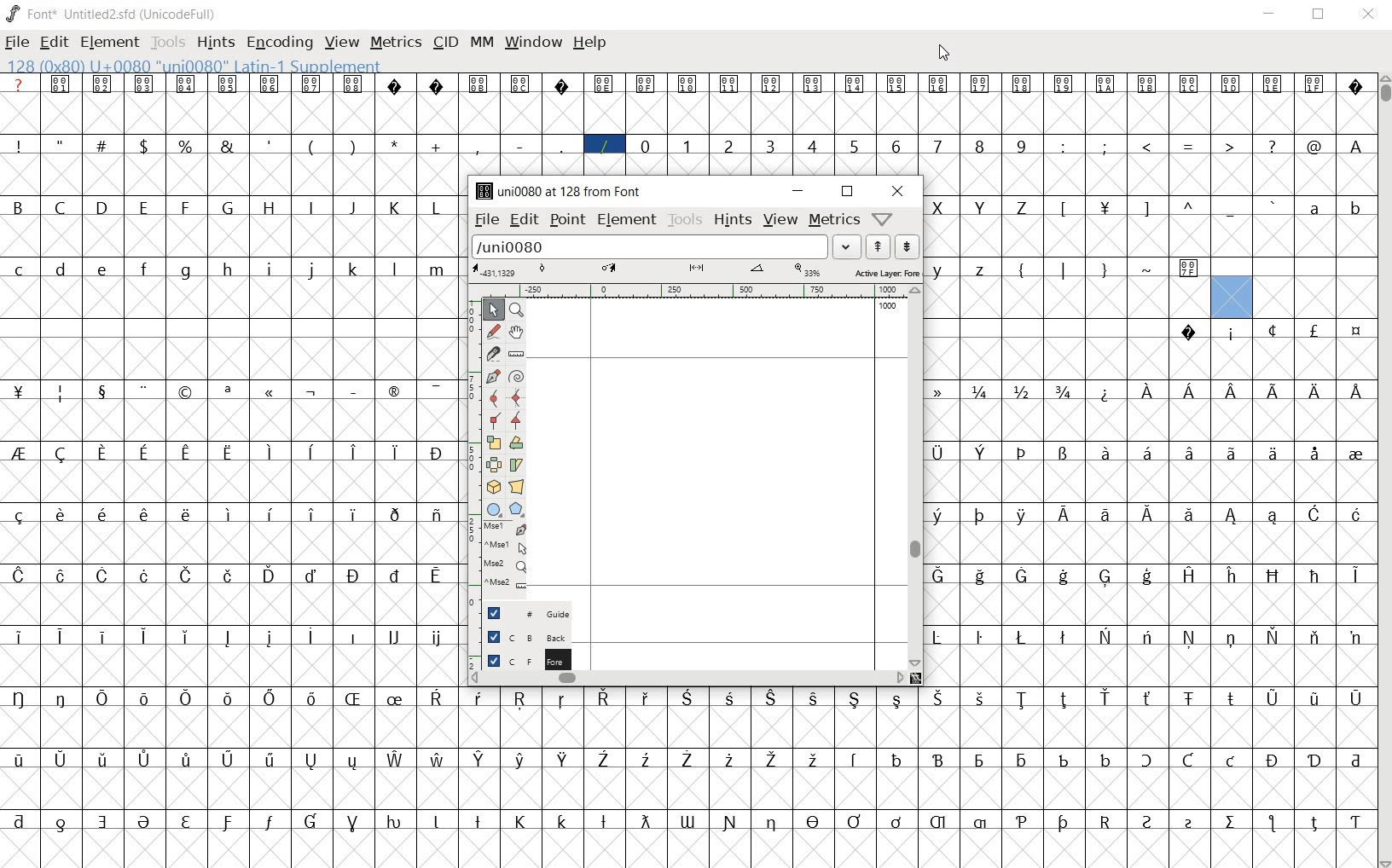 The width and height of the screenshot is (1392, 868). Describe the element at coordinates (1273, 576) in the screenshot. I see `glyph` at that location.